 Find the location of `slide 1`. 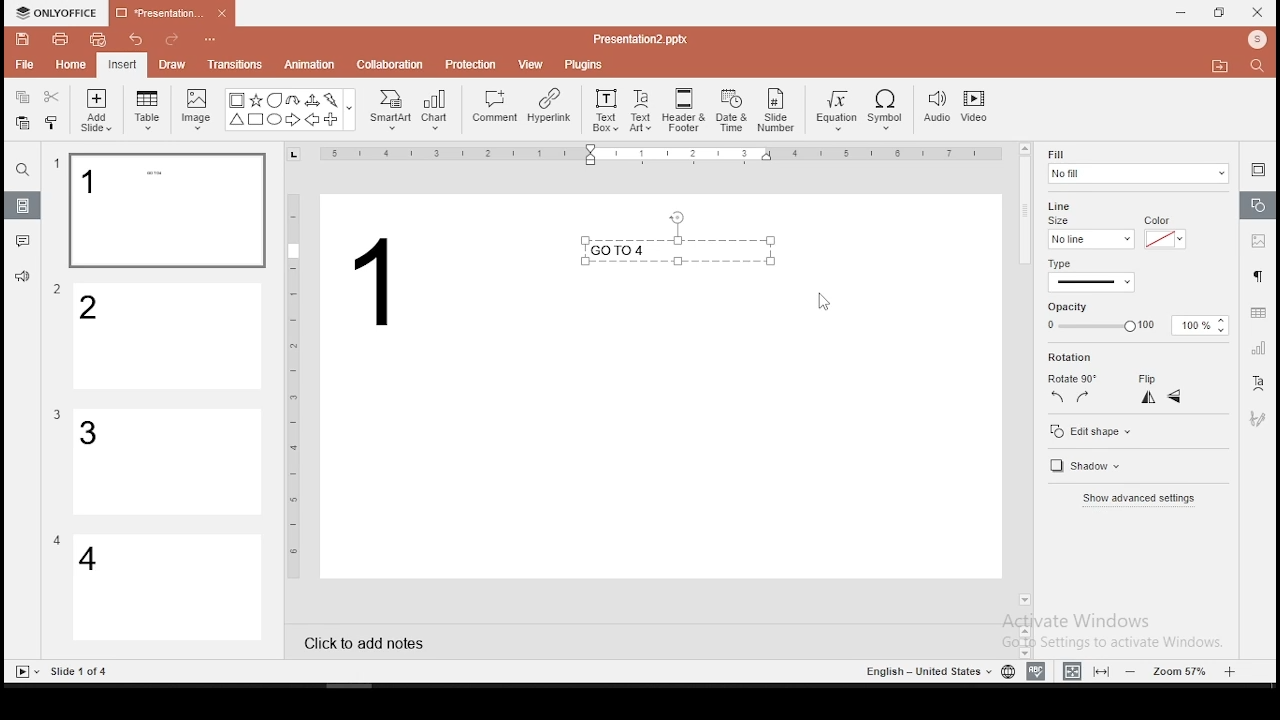

slide 1 is located at coordinates (166, 211).